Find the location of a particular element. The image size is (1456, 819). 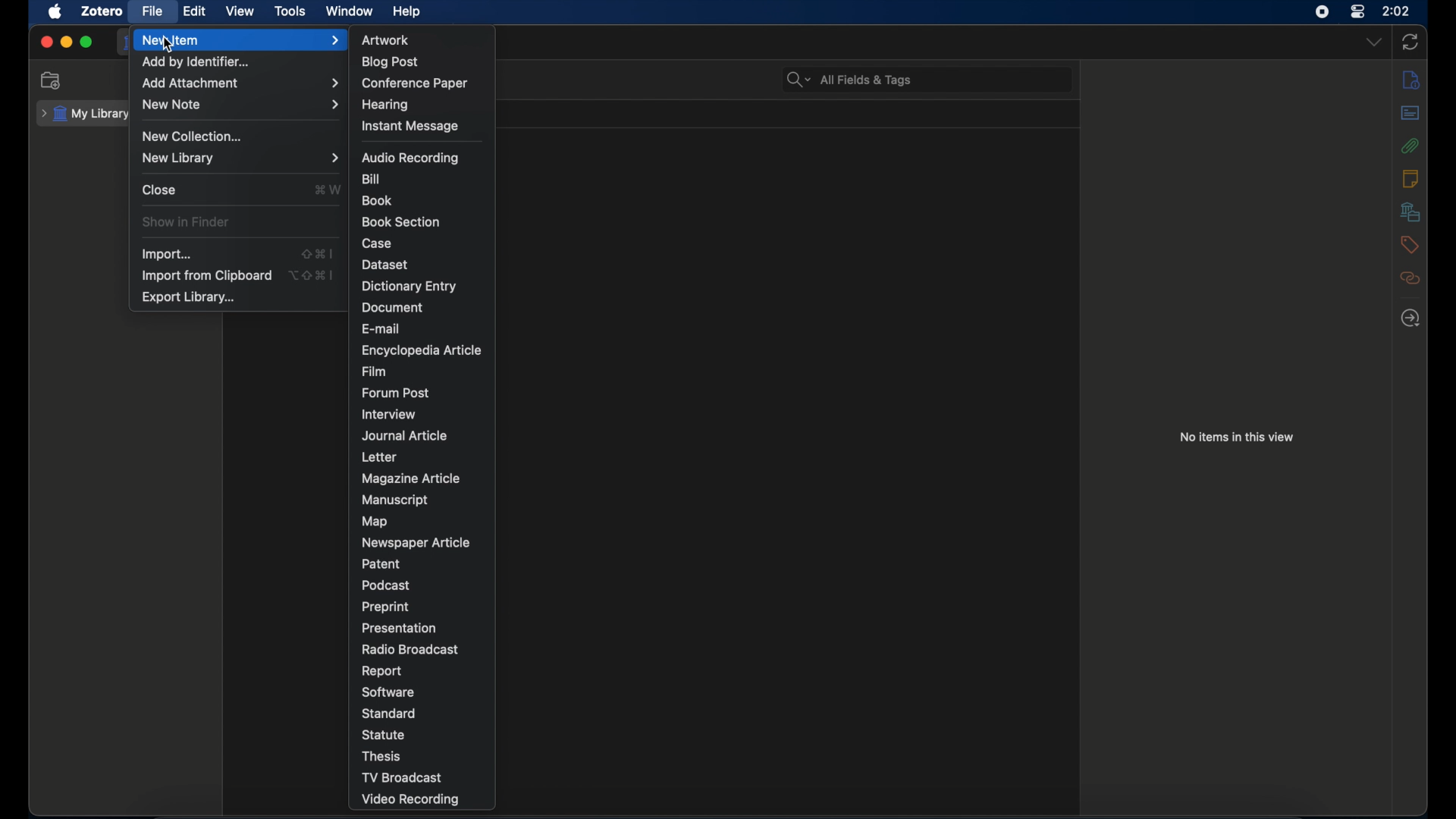

e-mail is located at coordinates (379, 328).